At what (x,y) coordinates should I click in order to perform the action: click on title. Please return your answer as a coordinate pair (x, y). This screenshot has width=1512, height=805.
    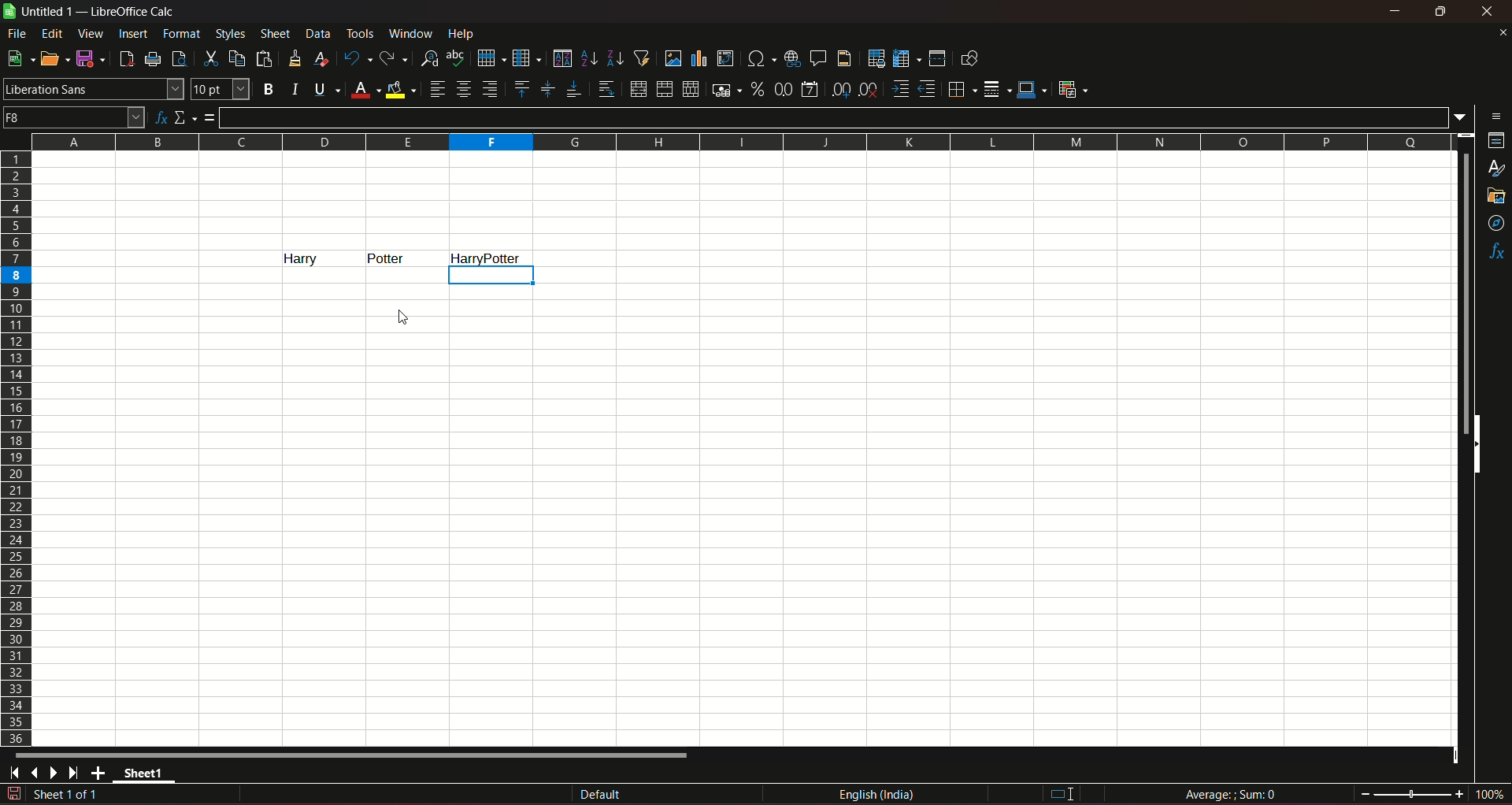
    Looking at the image, I should click on (134, 12).